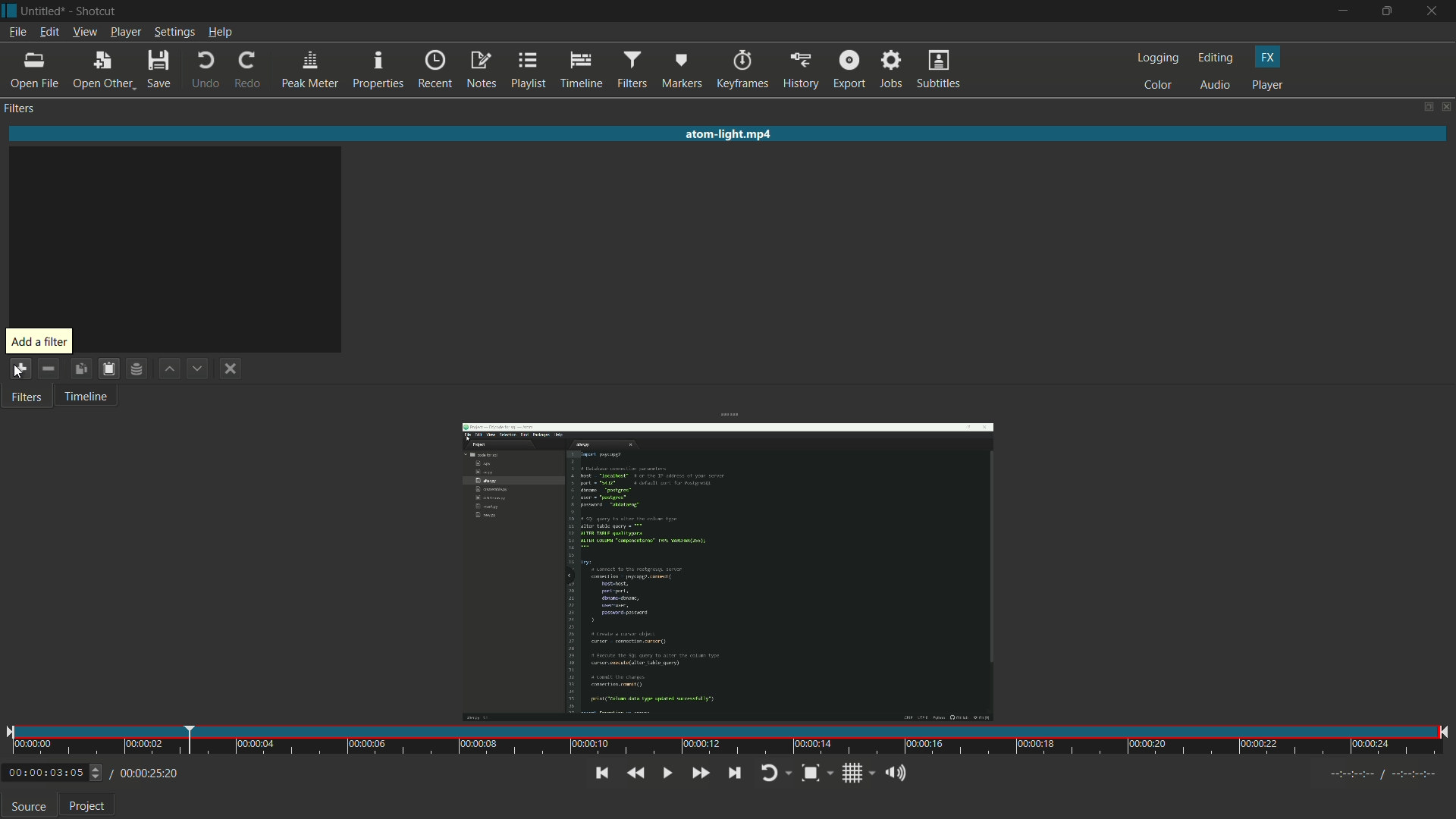  I want to click on save, so click(160, 70).